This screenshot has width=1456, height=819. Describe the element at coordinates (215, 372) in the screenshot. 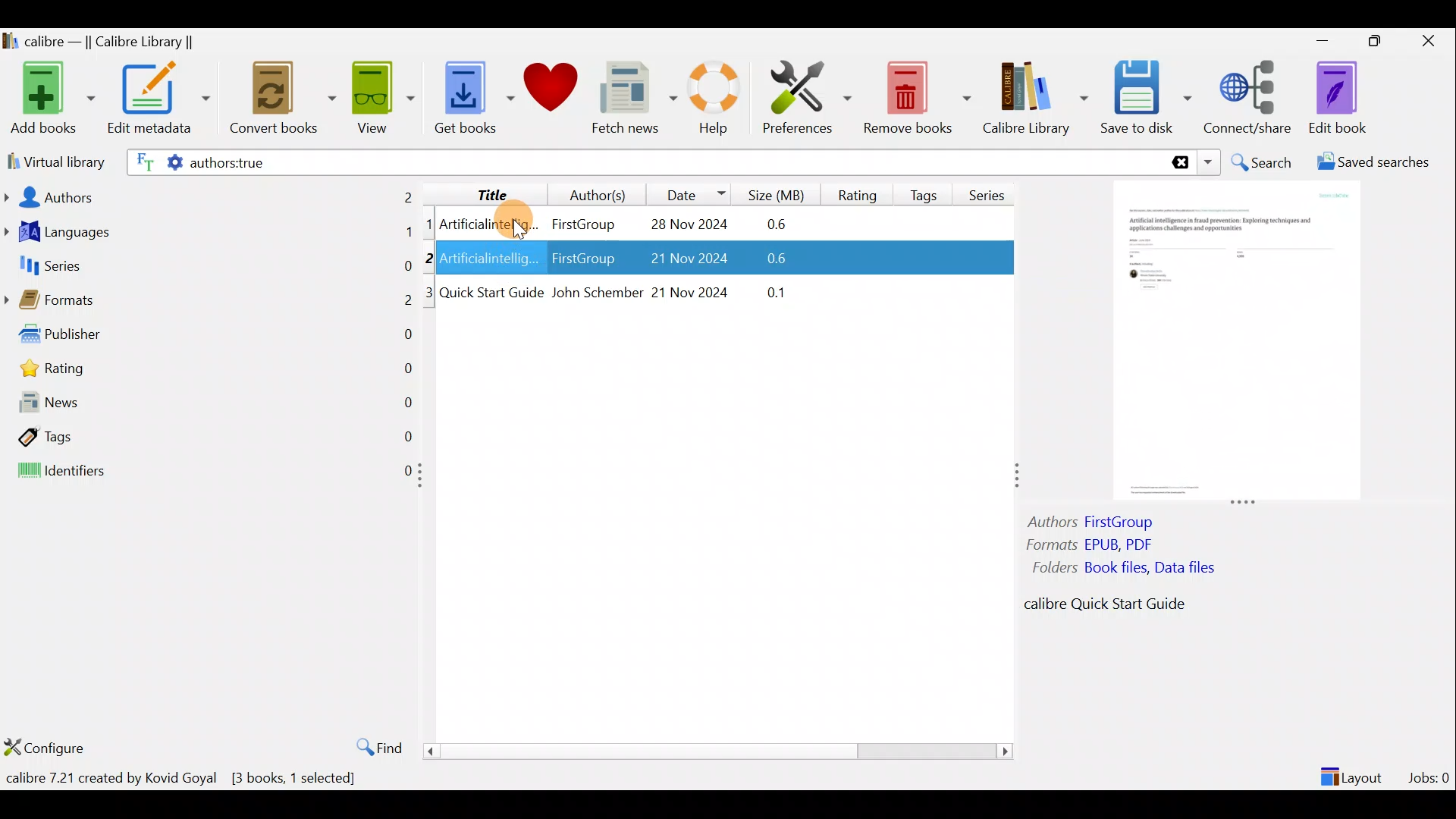

I see `Rating` at that location.